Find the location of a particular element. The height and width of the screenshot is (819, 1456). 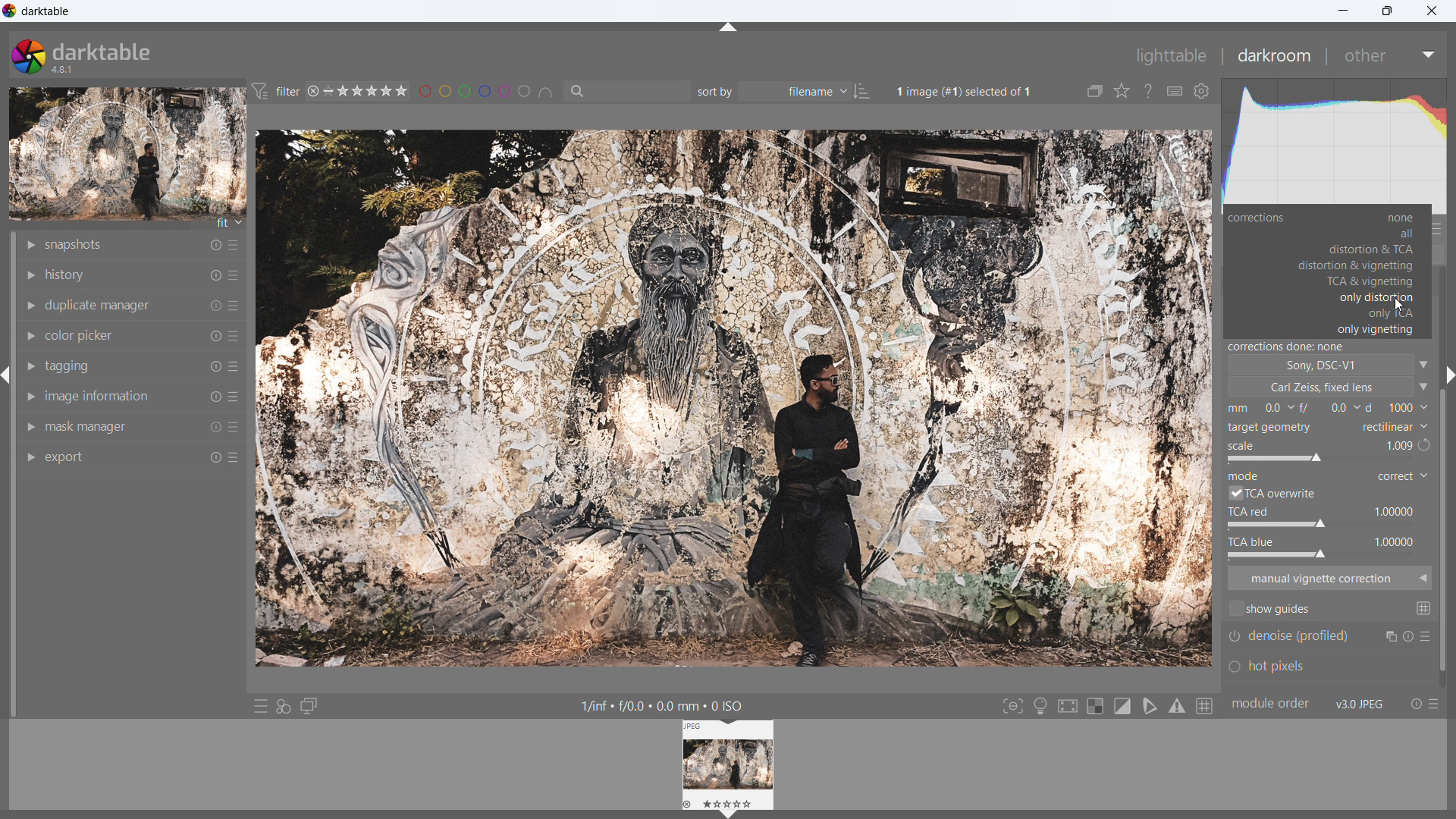

denoise is located at coordinates (1329, 638).